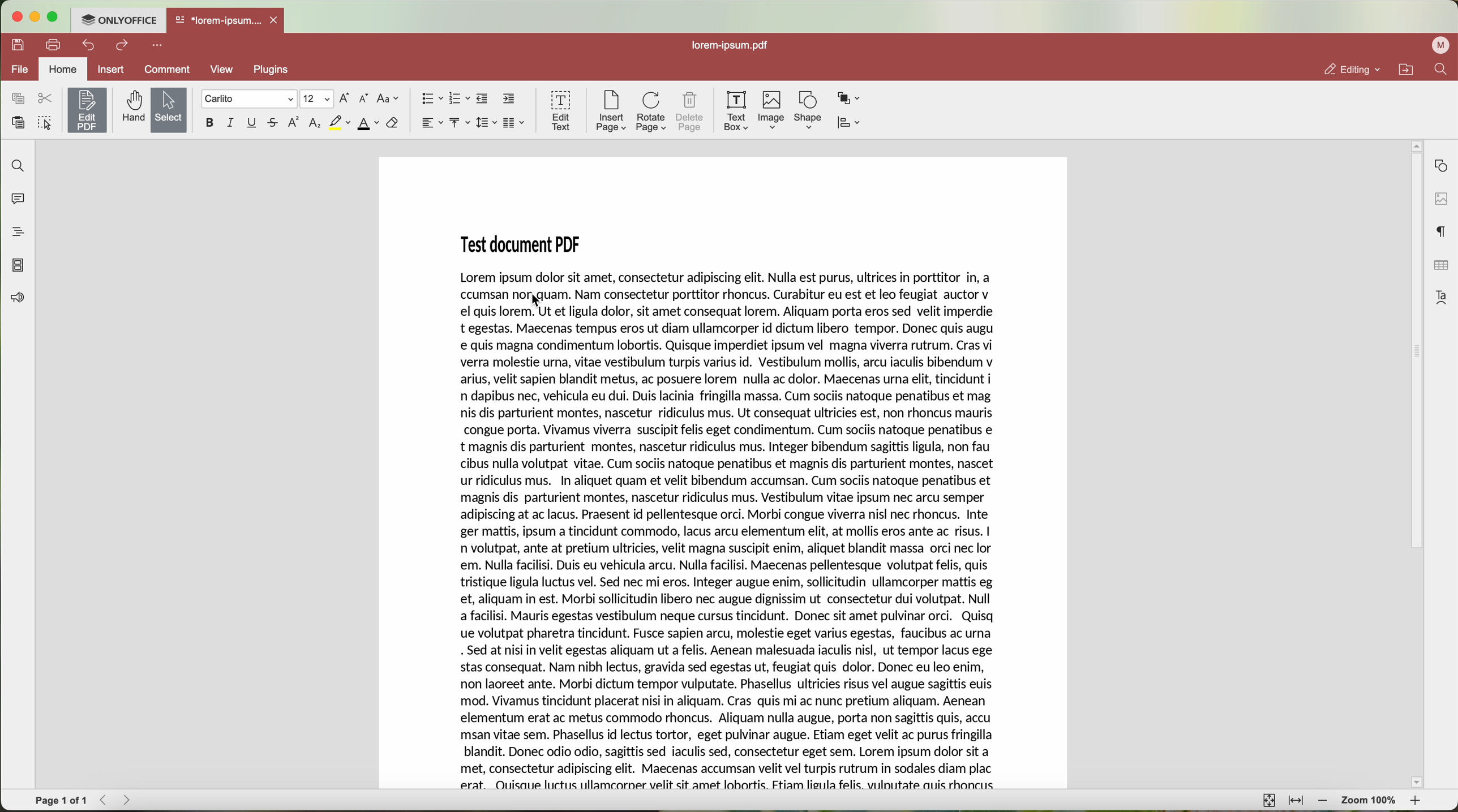 The height and width of the screenshot is (812, 1458). Describe the element at coordinates (46, 122) in the screenshot. I see `select all` at that location.